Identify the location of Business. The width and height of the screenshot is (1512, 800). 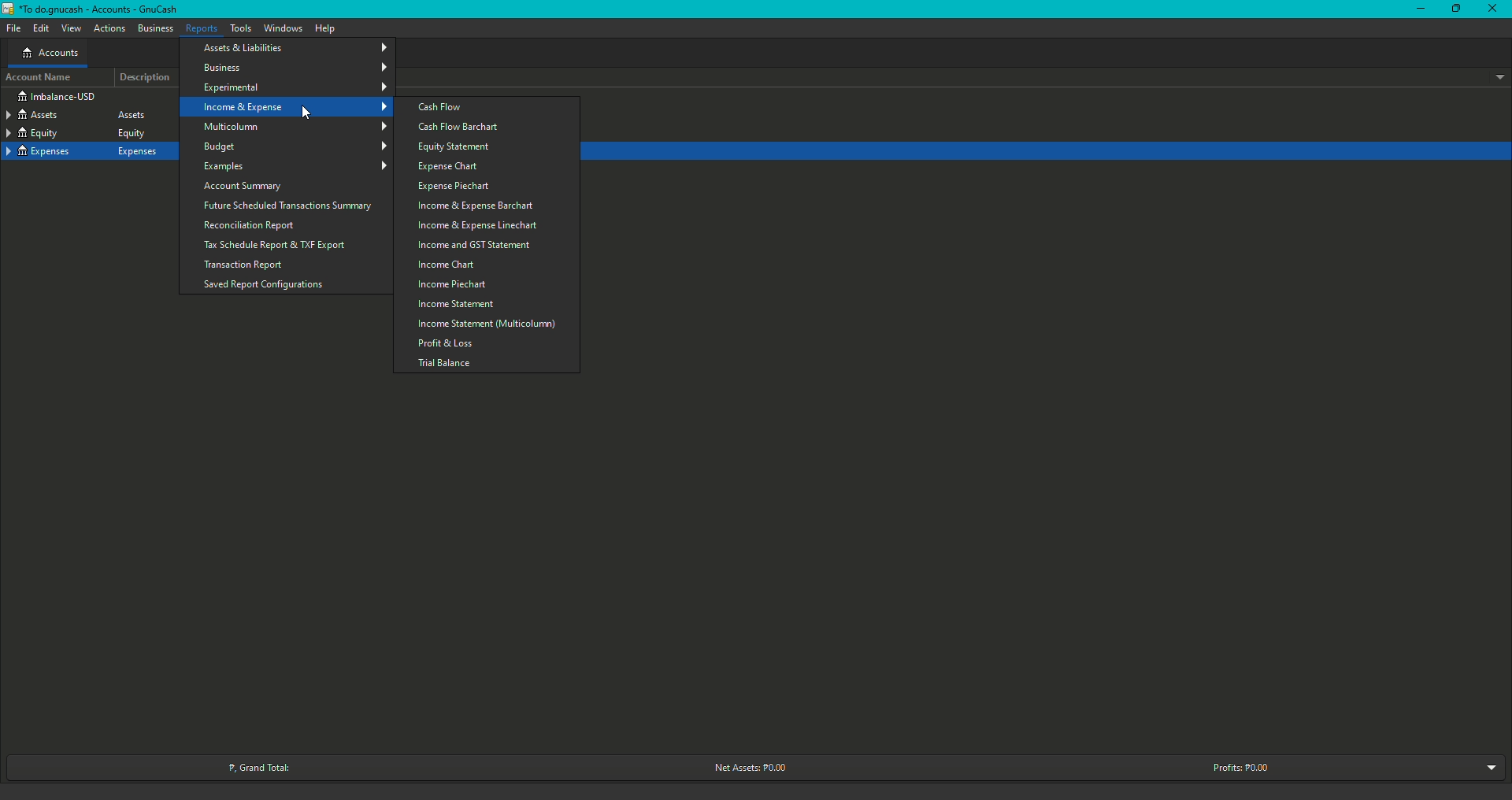
(155, 28).